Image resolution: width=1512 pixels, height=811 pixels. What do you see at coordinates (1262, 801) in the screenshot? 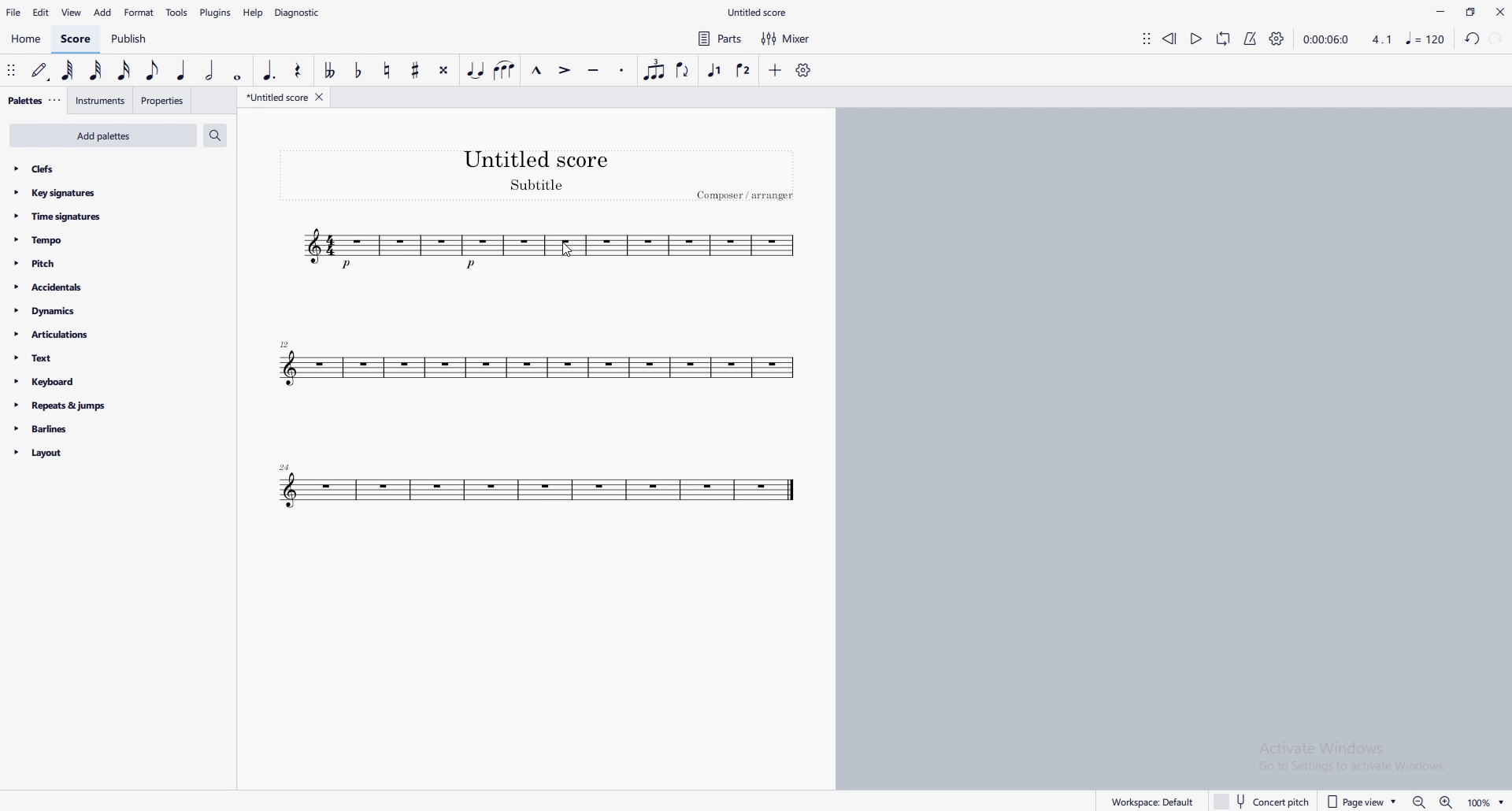
I see `concert pitch` at bounding box center [1262, 801].